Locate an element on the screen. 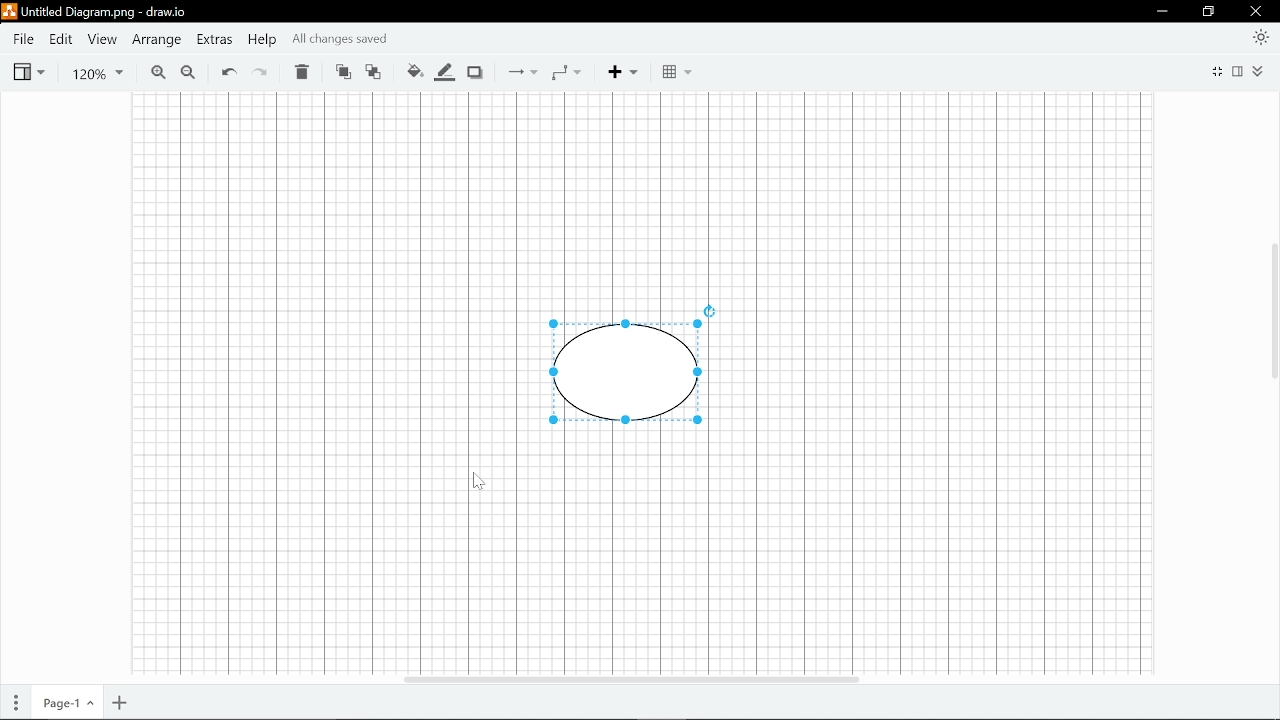 This screenshot has width=1280, height=720. File is located at coordinates (23, 39).